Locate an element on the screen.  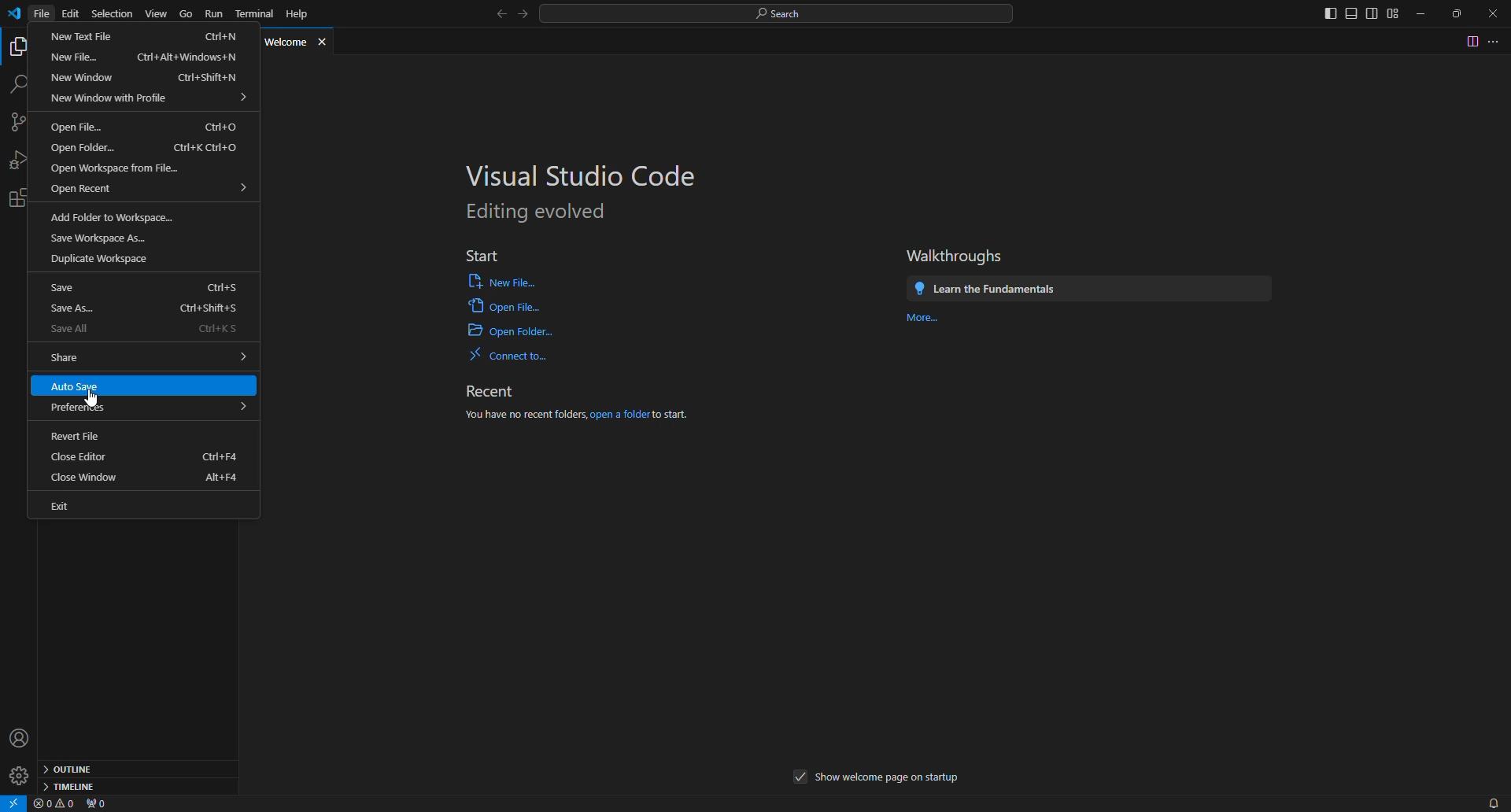
save as is located at coordinates (76, 308).